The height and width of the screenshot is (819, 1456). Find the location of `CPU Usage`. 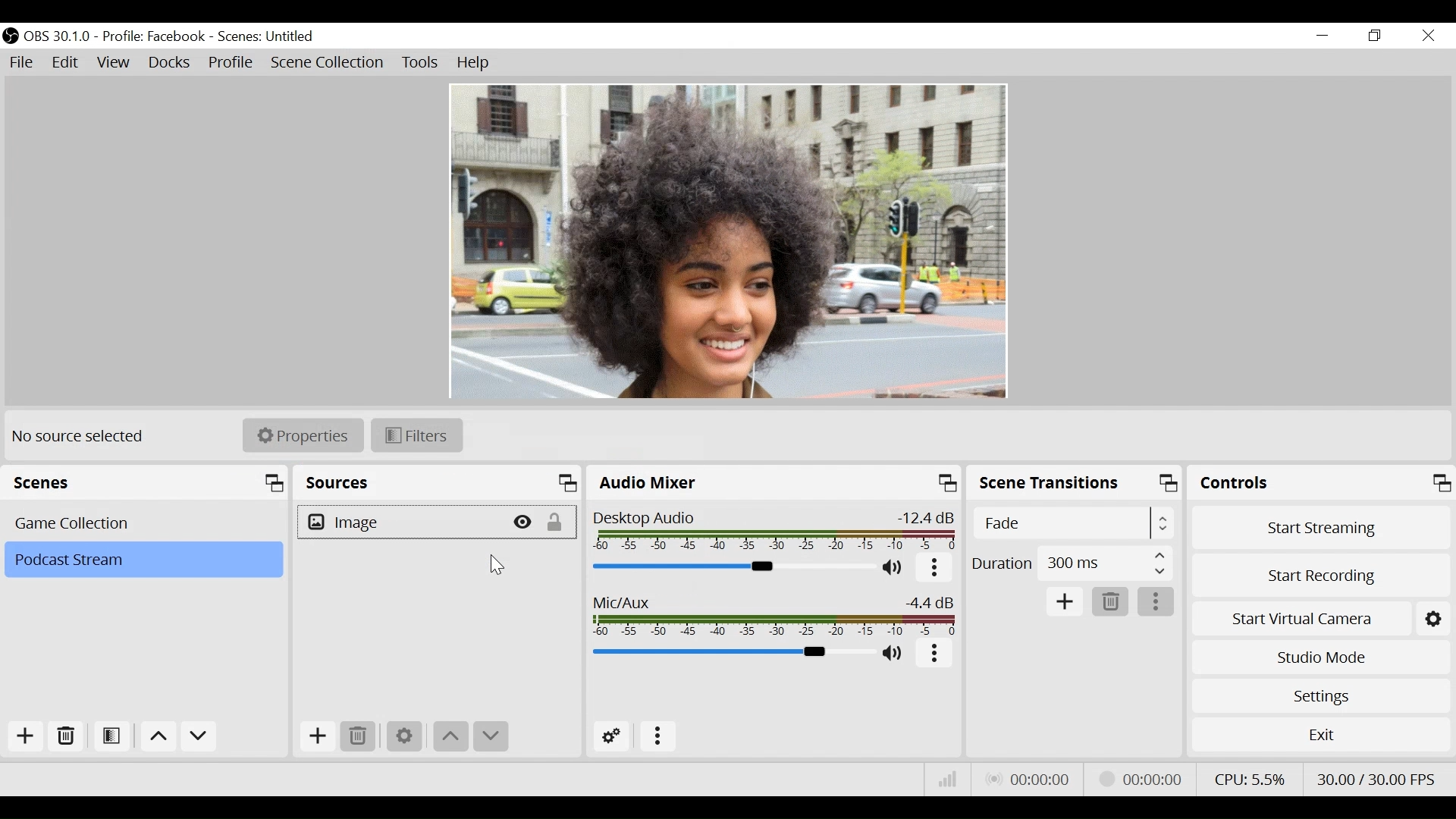

CPU Usage is located at coordinates (1250, 777).